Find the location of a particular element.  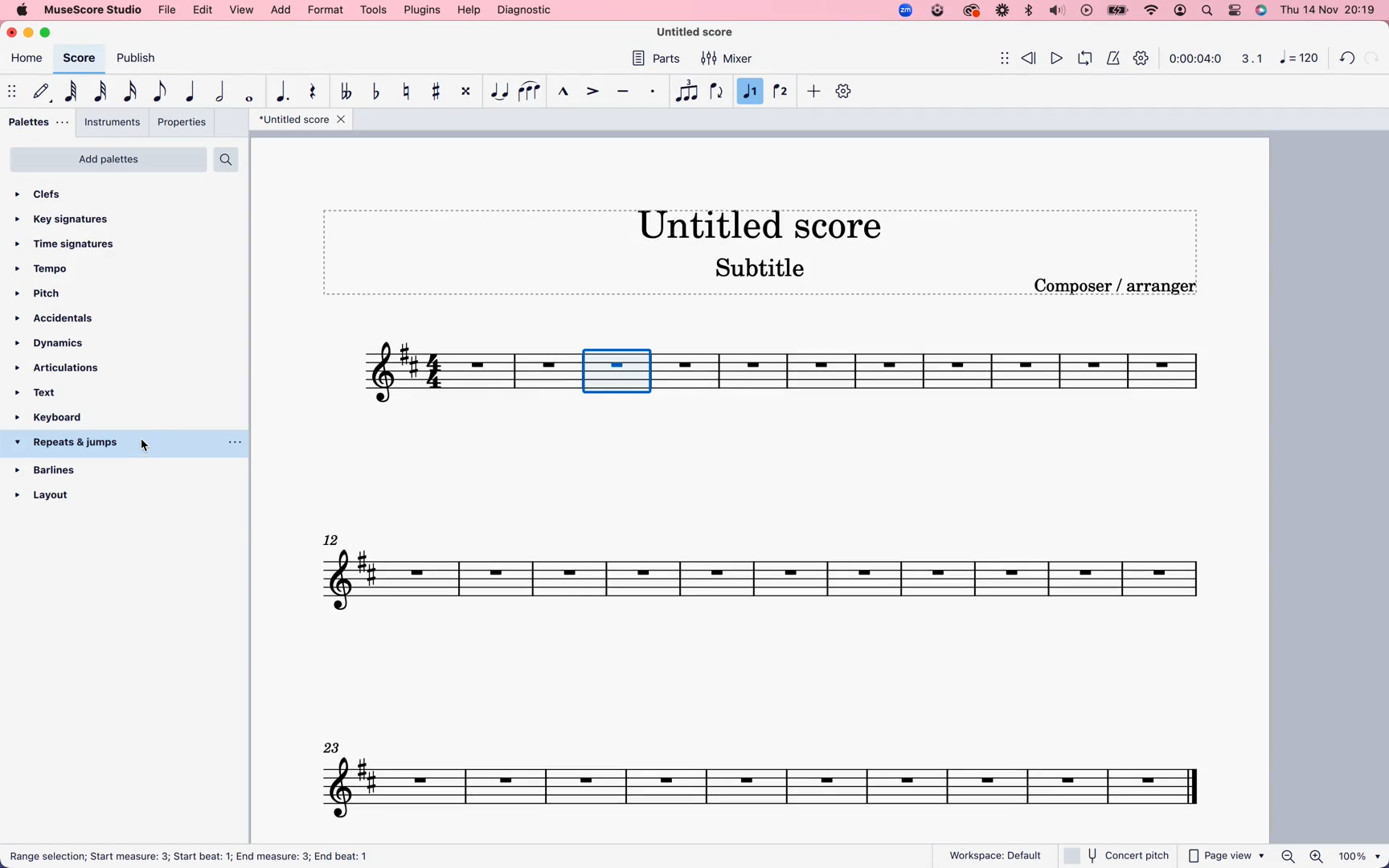

add pallets is located at coordinates (109, 159).